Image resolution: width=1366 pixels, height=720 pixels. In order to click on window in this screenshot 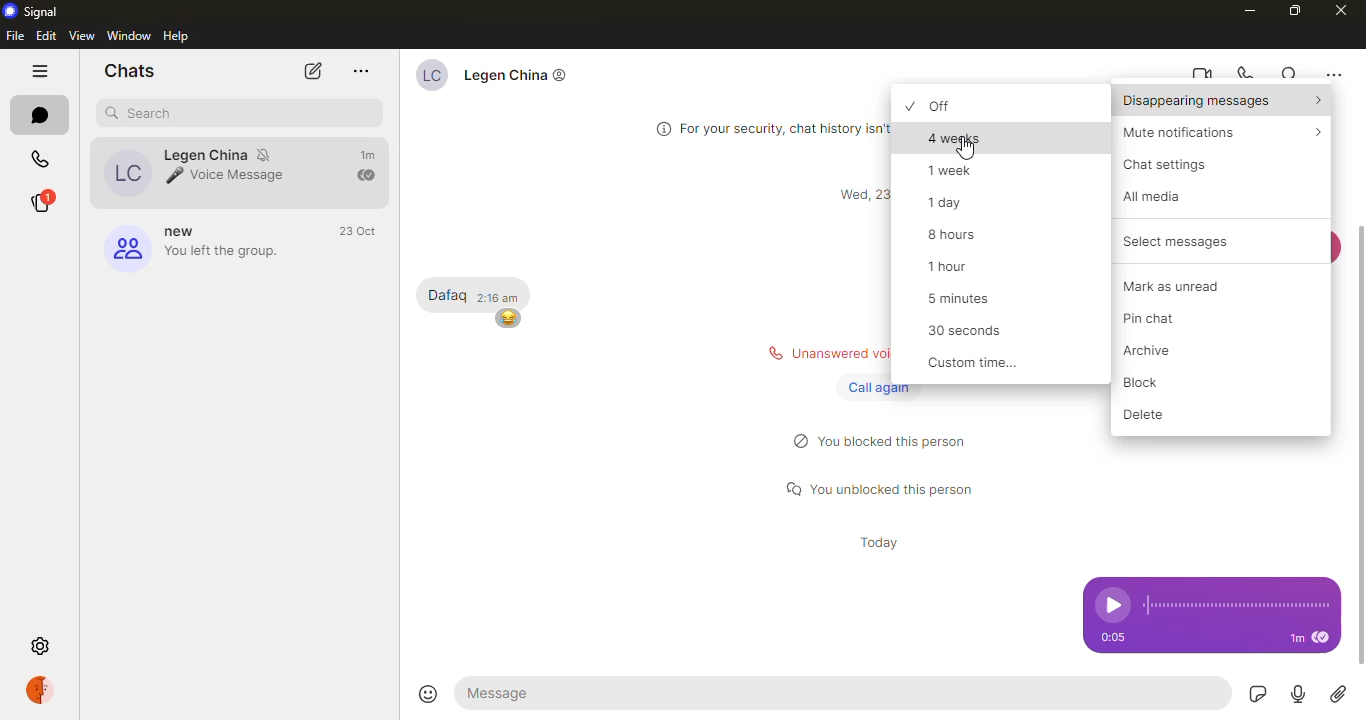, I will do `click(128, 35)`.